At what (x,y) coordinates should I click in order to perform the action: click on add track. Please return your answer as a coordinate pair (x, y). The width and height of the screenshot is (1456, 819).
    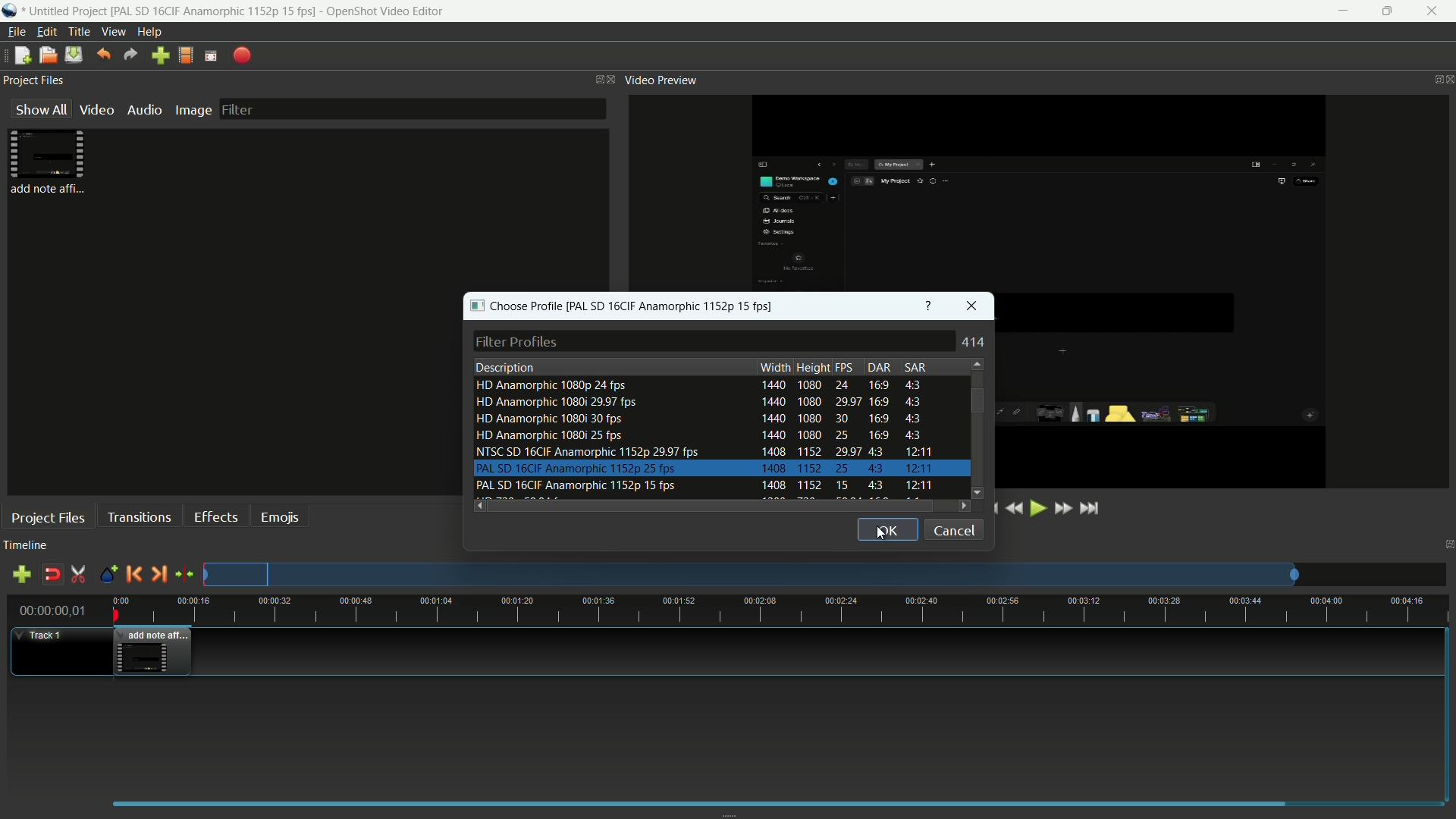
    Looking at the image, I should click on (19, 575).